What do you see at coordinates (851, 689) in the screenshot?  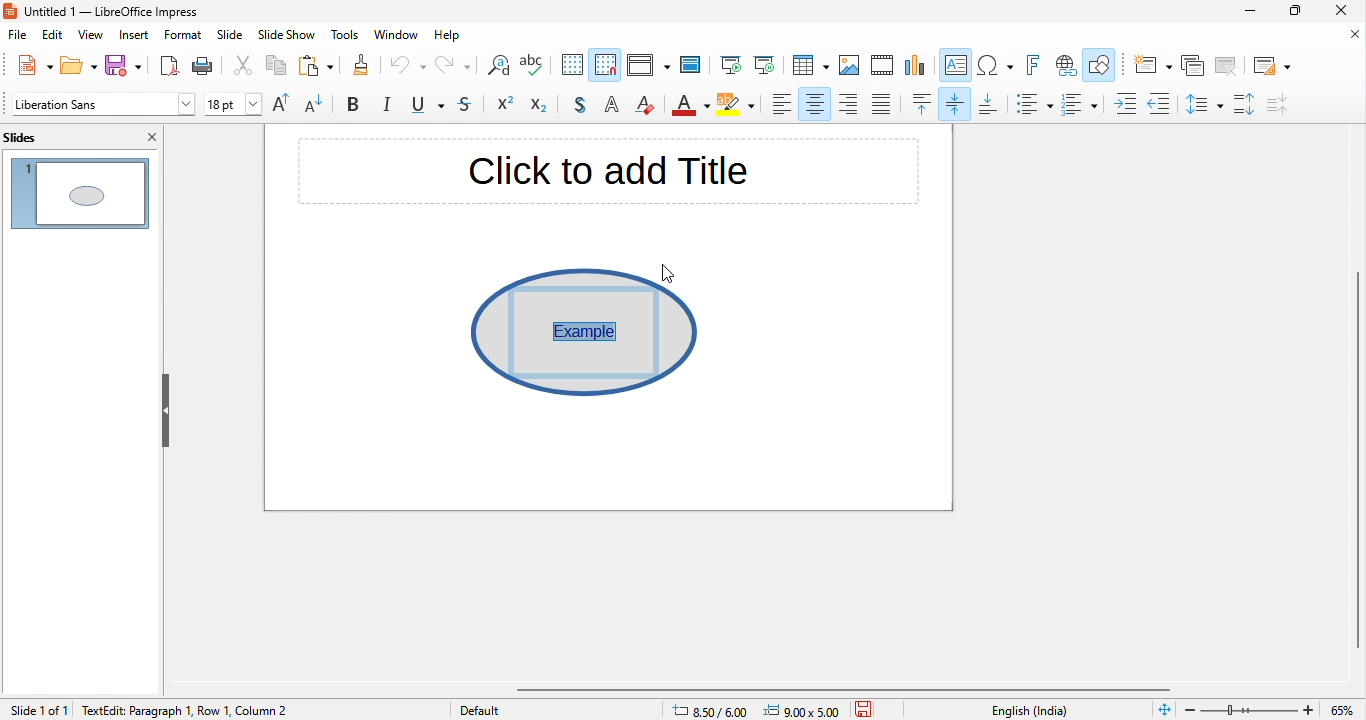 I see `horizontal scroll bar` at bounding box center [851, 689].